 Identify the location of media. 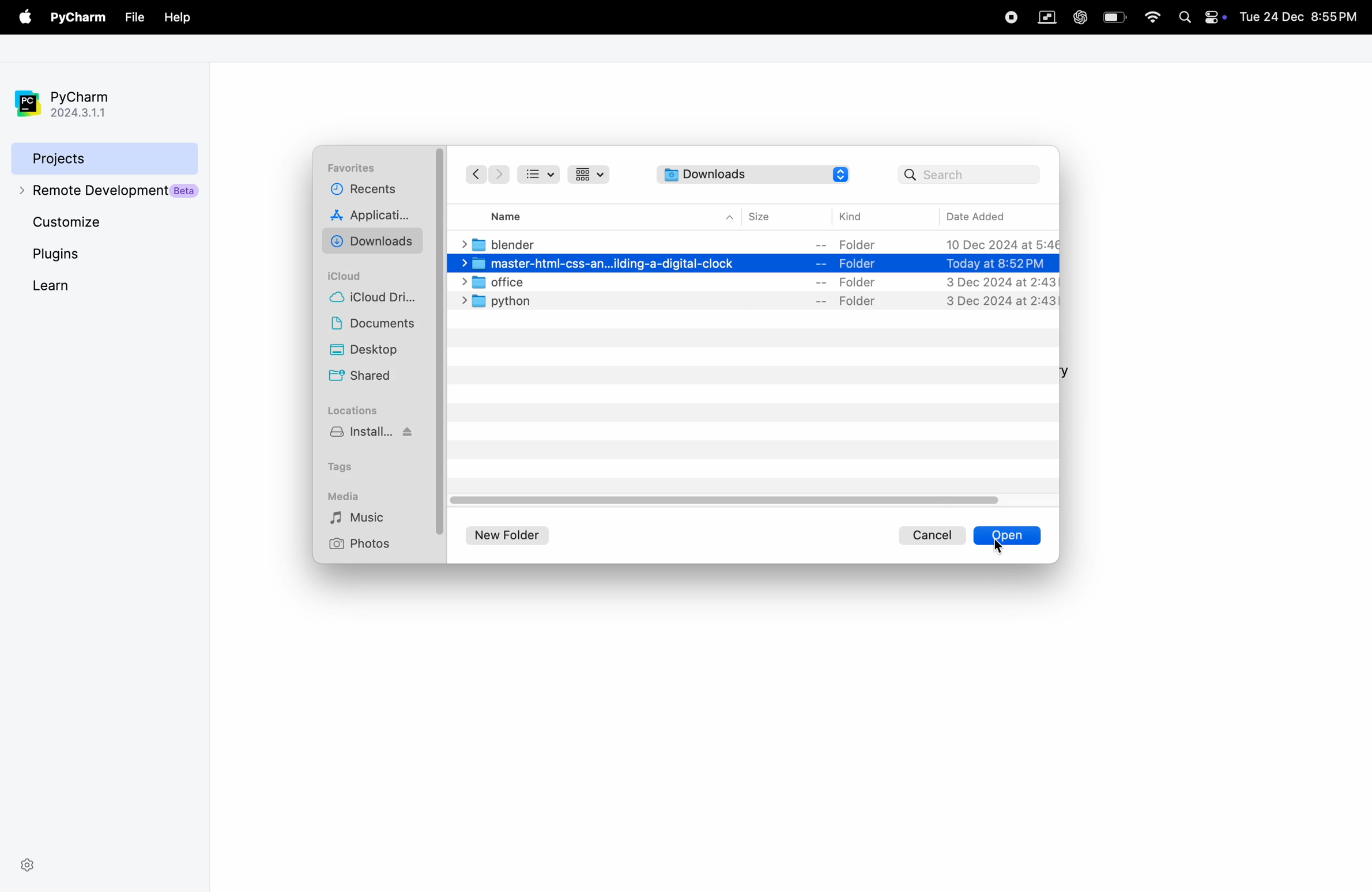
(346, 495).